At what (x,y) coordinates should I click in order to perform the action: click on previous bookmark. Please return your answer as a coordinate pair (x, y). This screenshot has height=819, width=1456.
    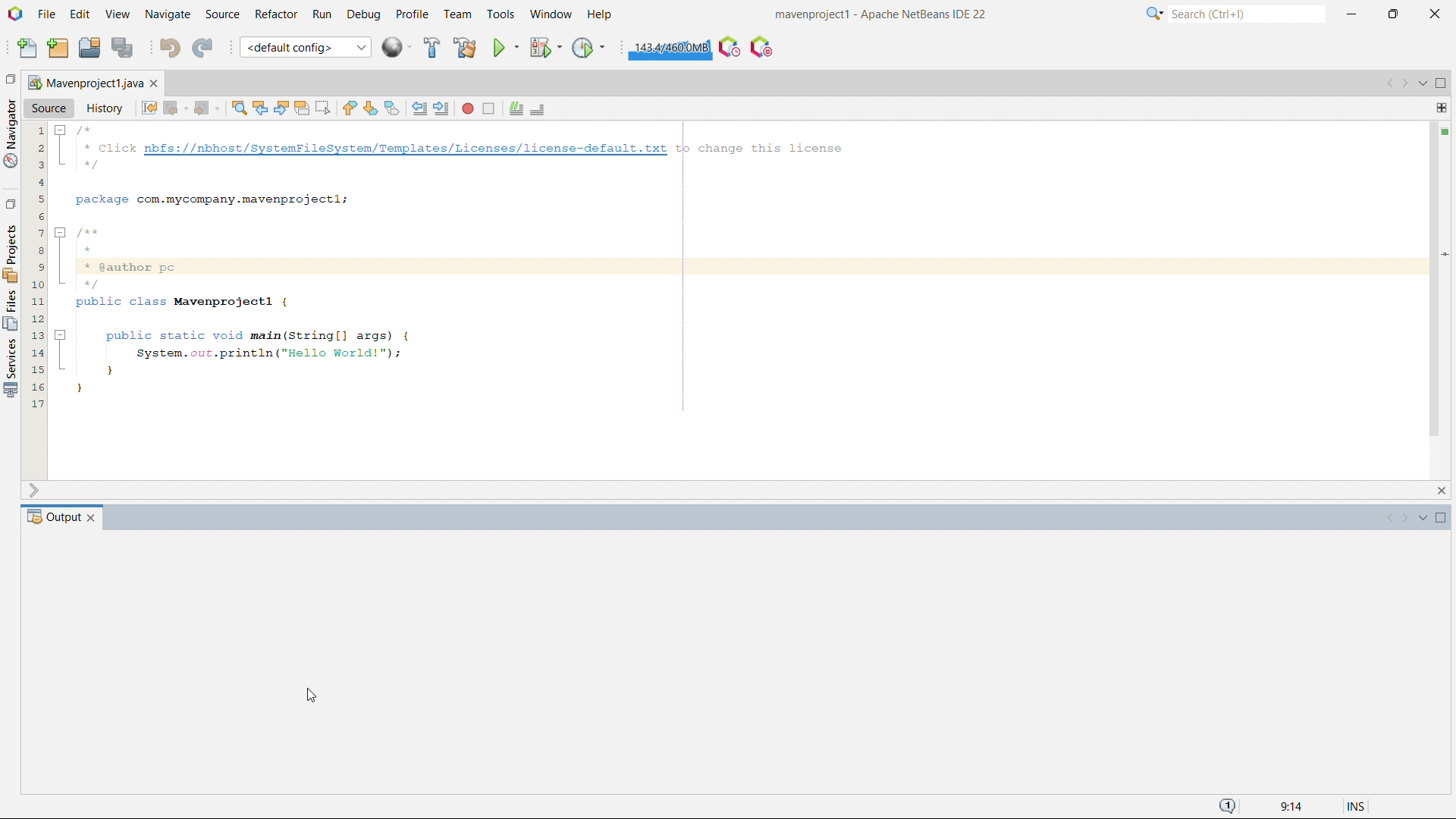
    Looking at the image, I should click on (350, 109).